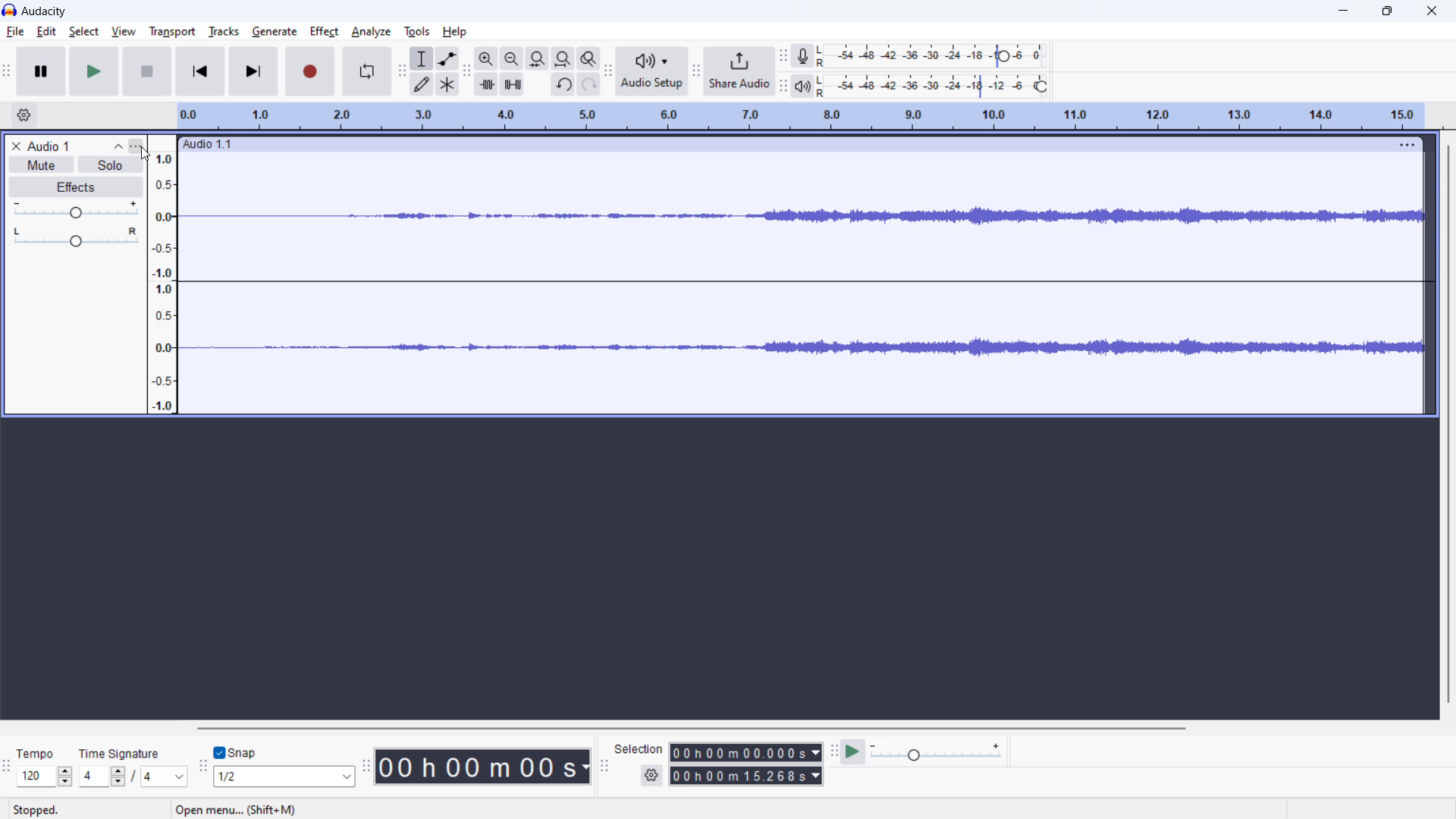 This screenshot has width=1456, height=819. Describe the element at coordinates (366, 767) in the screenshot. I see `time toolbar` at that location.